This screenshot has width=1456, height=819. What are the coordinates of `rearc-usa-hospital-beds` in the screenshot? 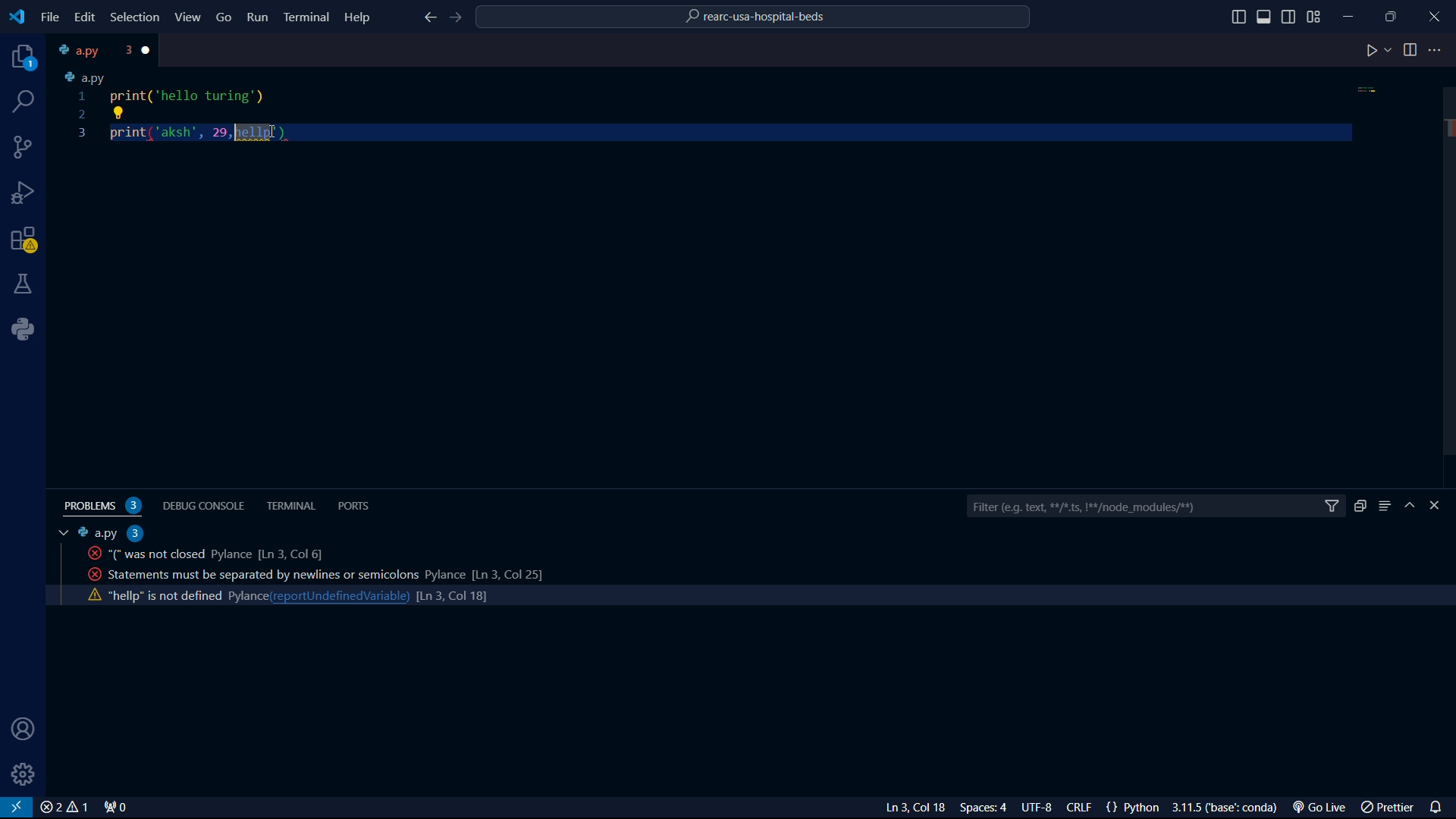 It's located at (755, 19).